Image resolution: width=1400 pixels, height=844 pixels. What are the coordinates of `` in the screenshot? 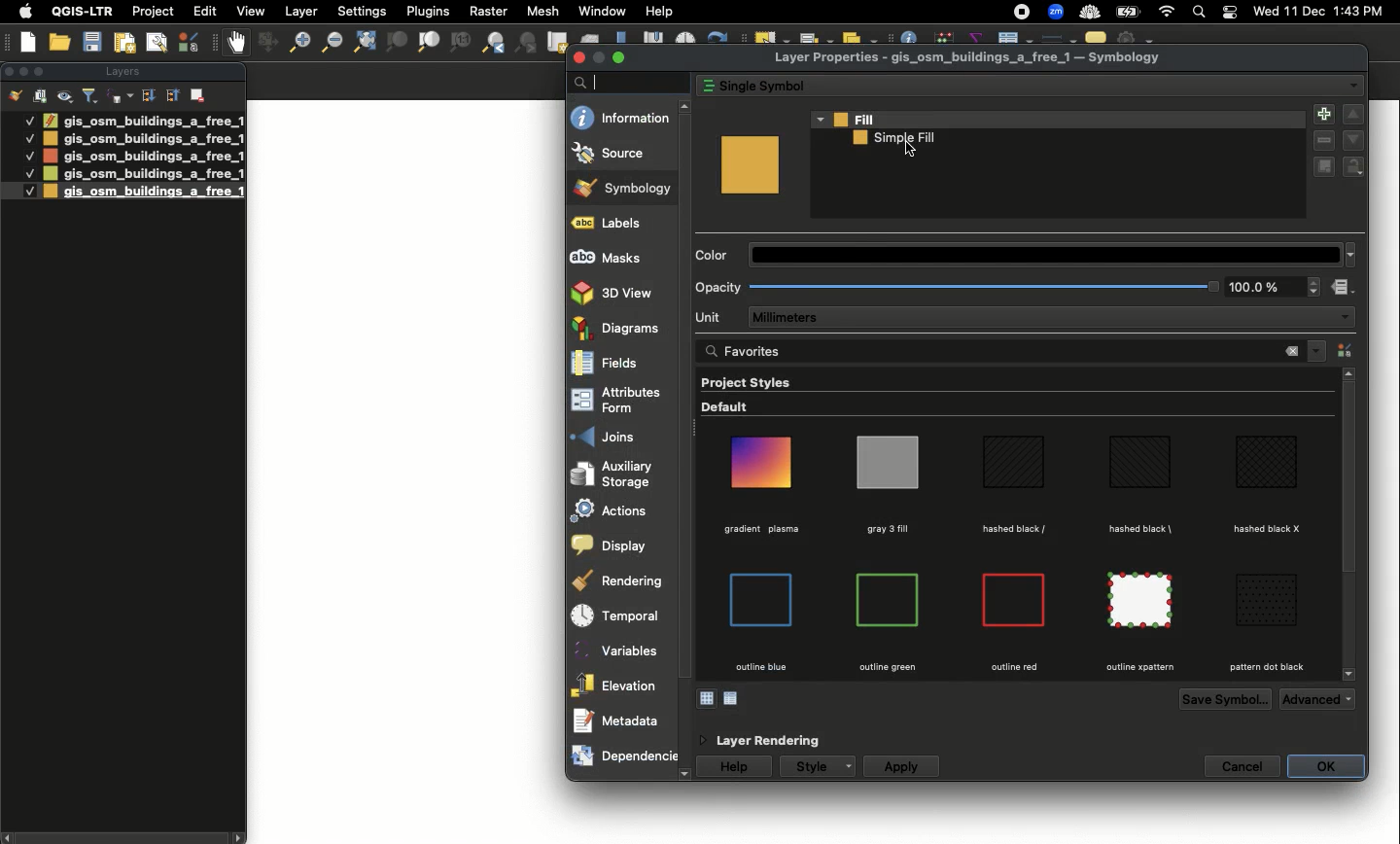 It's located at (1056, 12).